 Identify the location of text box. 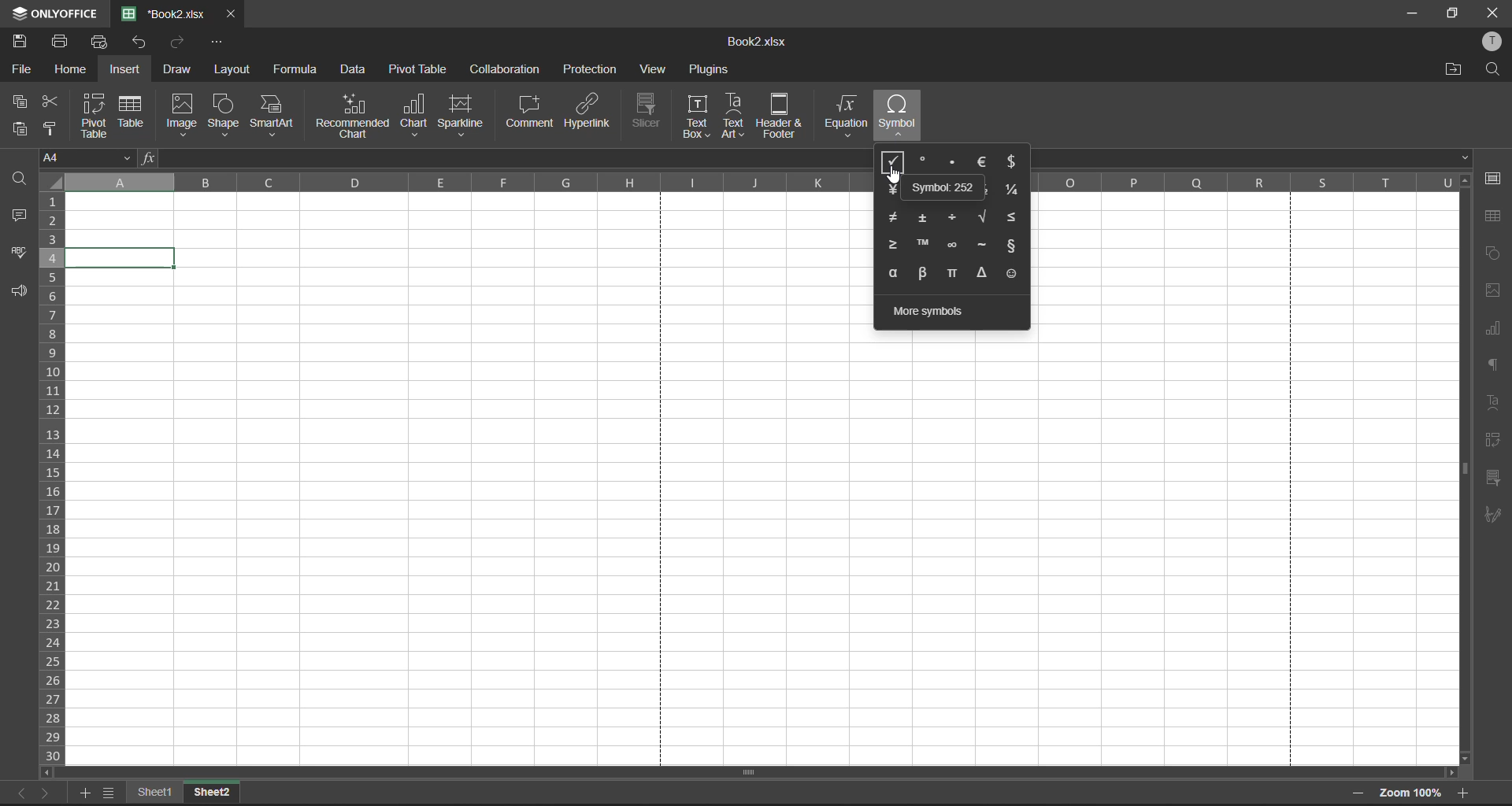
(697, 118).